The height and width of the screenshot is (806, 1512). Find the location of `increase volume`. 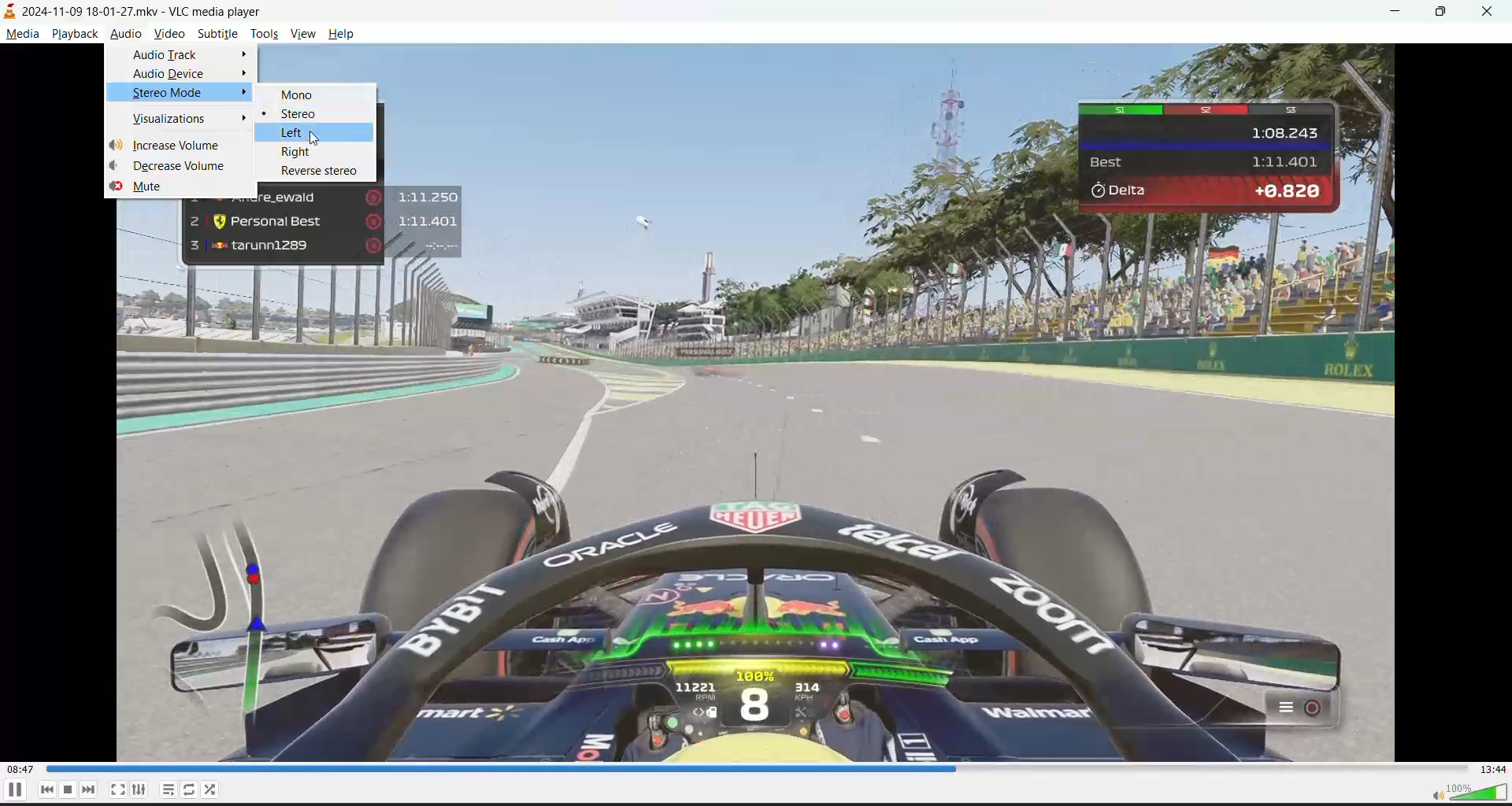

increase volume is located at coordinates (180, 145).